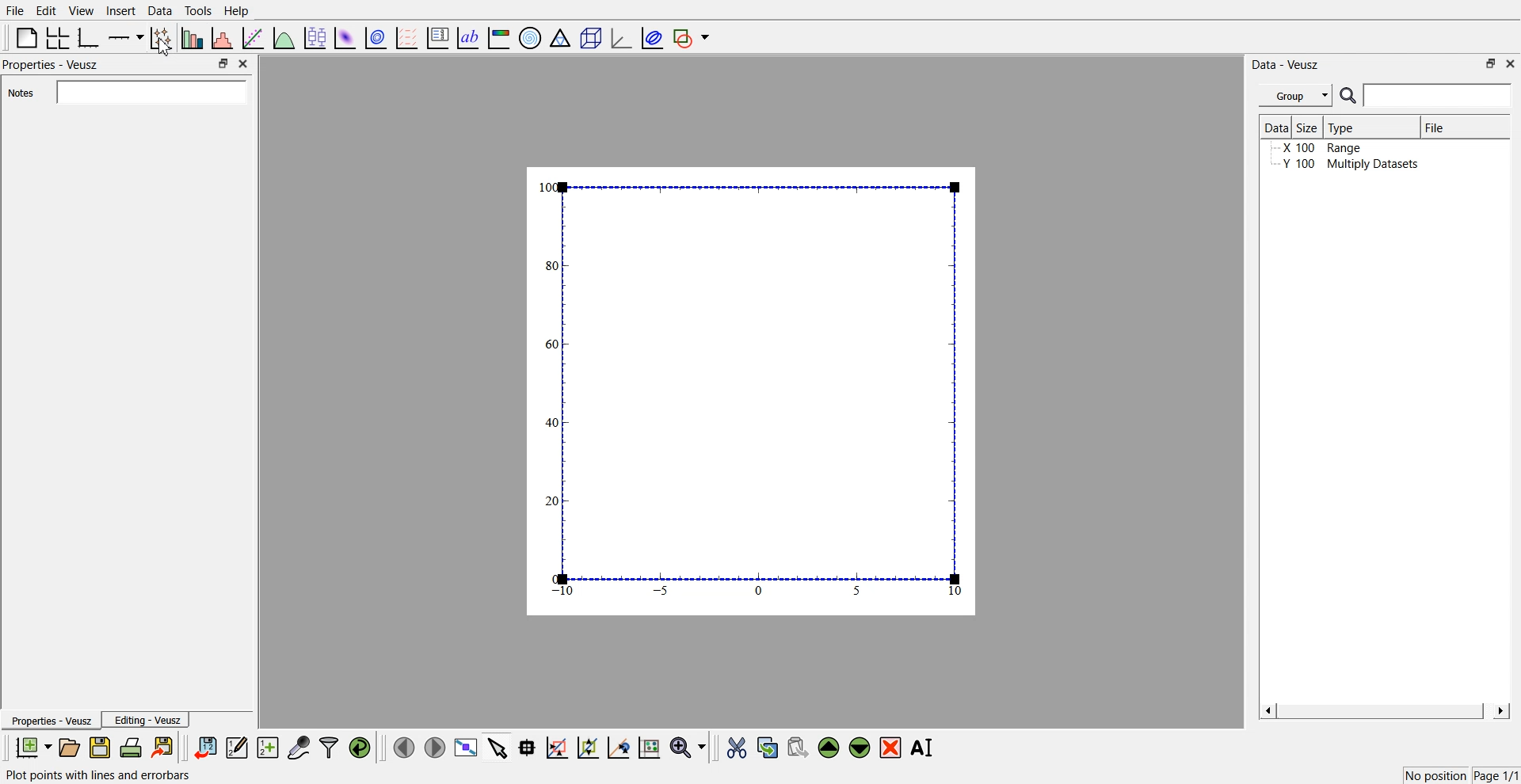 This screenshot has height=784, width=1521. Describe the element at coordinates (375, 39) in the screenshot. I see `plot a 2d data set as contour` at that location.